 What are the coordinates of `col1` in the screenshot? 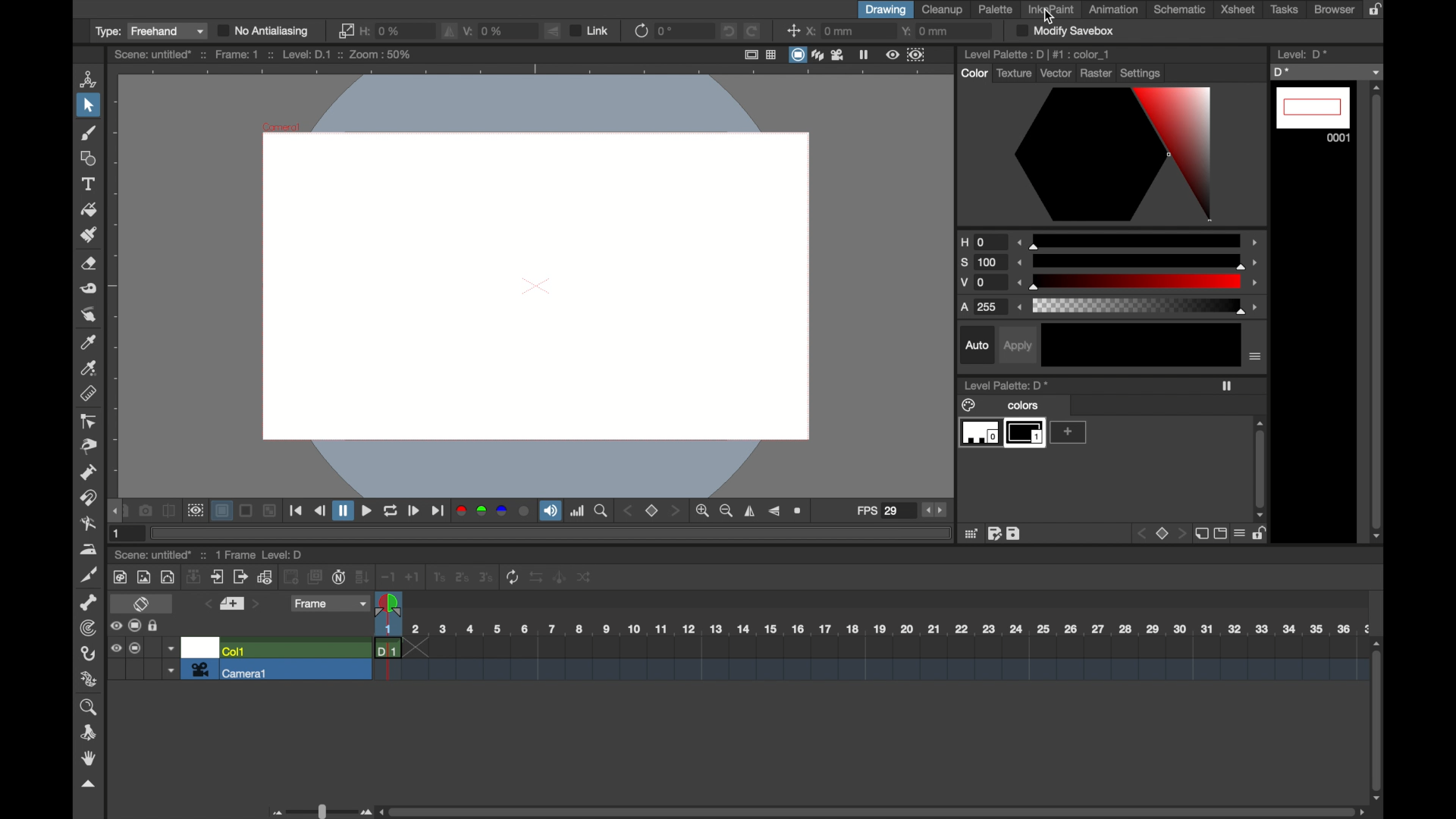 It's located at (234, 648).